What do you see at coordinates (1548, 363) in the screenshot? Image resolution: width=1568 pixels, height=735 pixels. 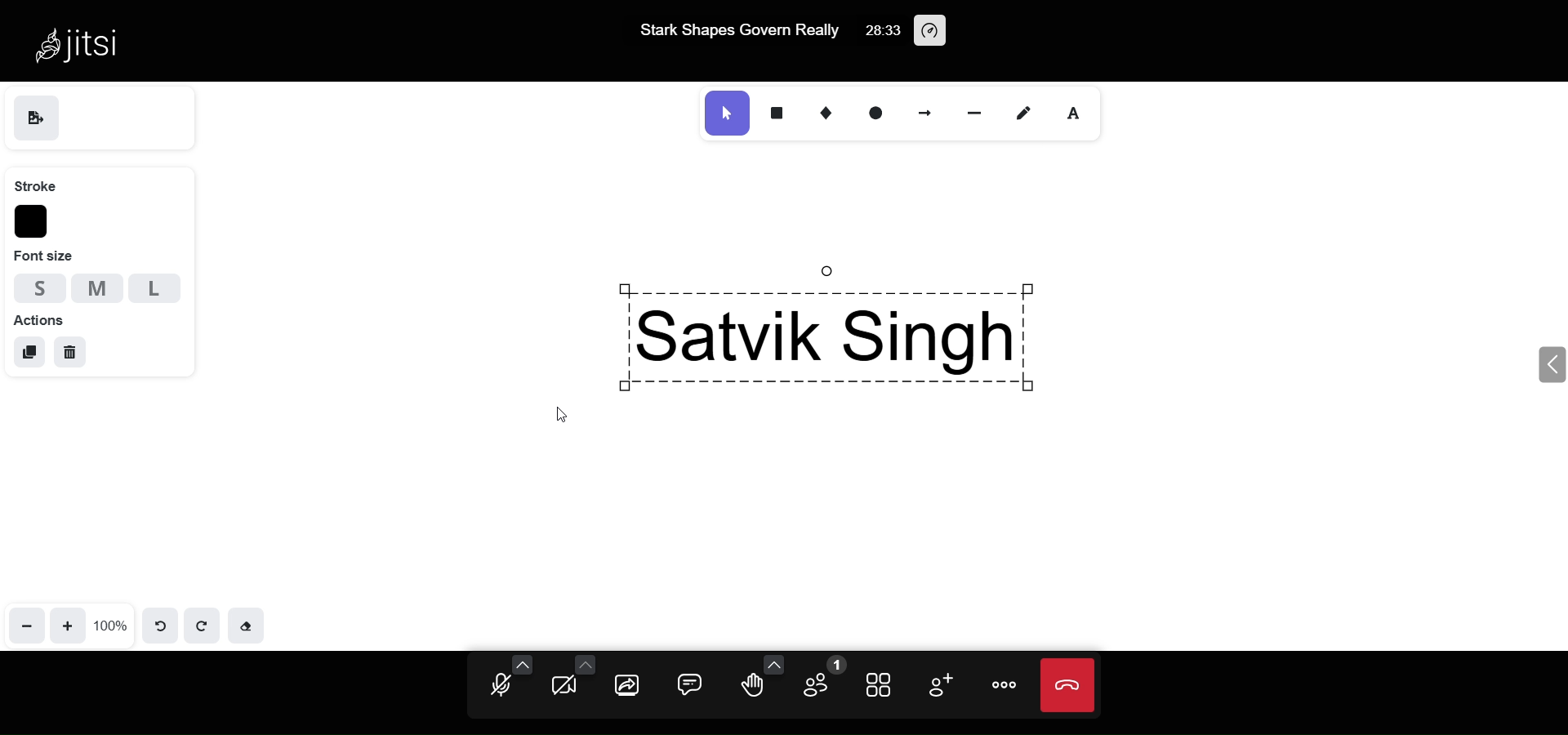 I see `expand` at bounding box center [1548, 363].